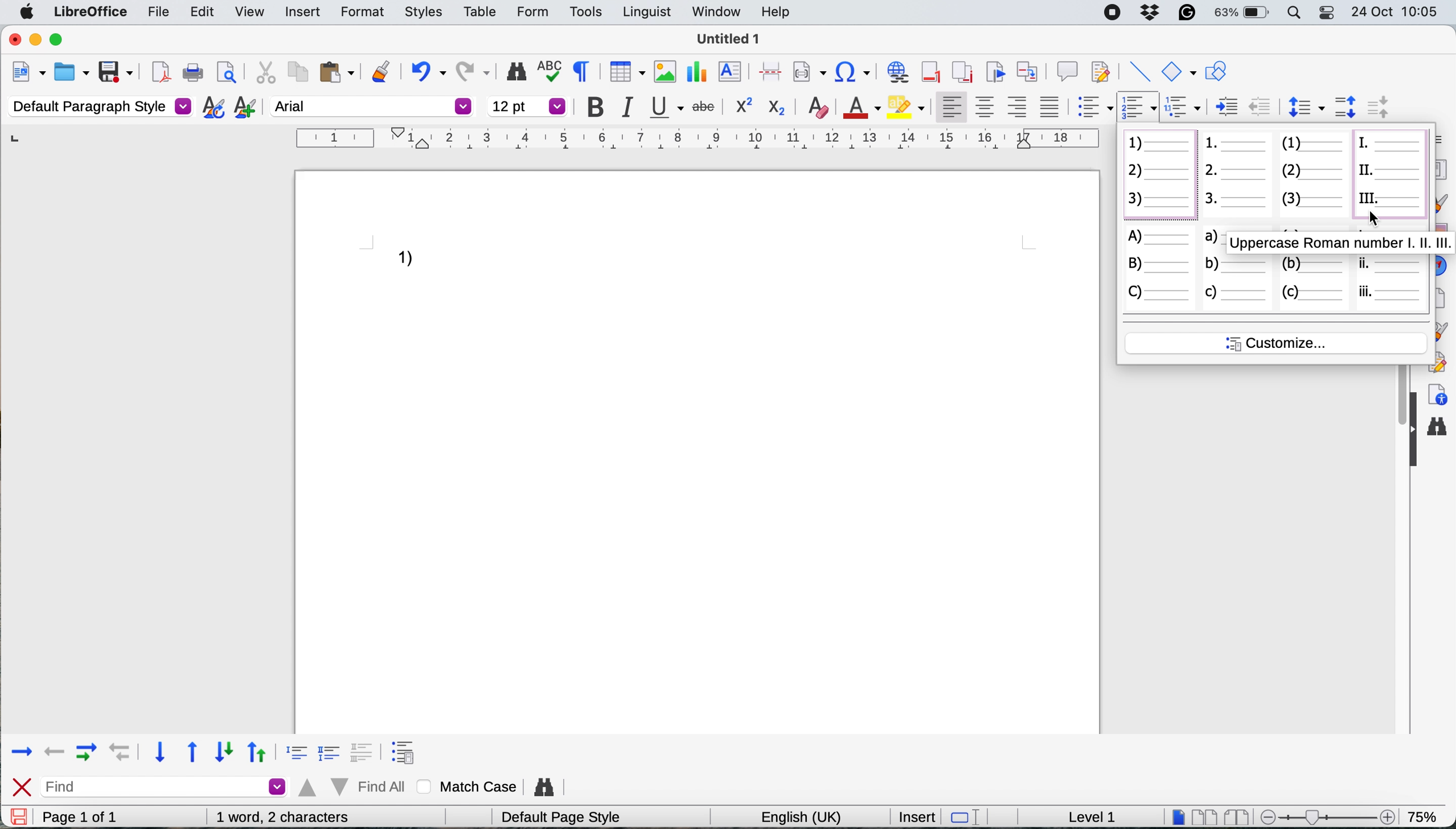  What do you see at coordinates (667, 107) in the screenshot?
I see `underline` at bounding box center [667, 107].